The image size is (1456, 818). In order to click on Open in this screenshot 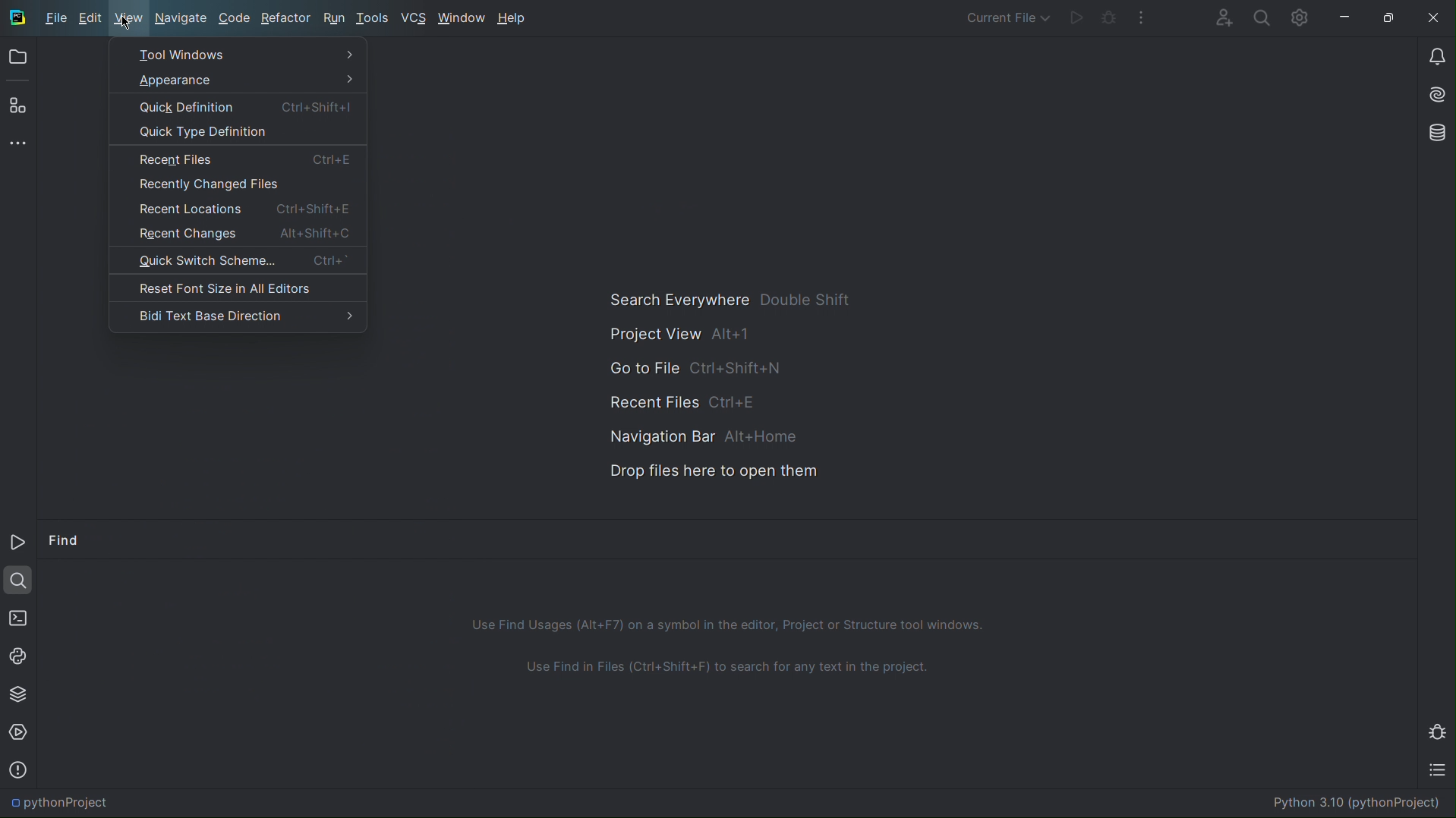, I will do `click(17, 60)`.